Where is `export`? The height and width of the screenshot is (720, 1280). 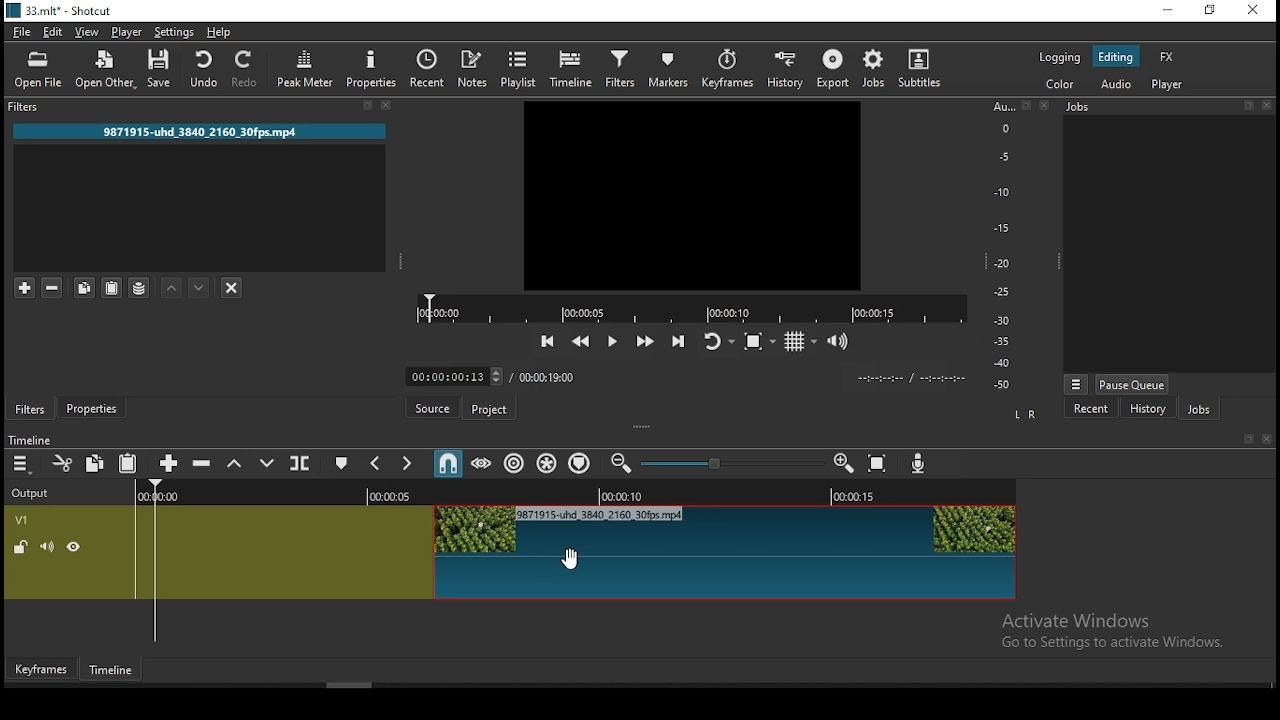
export is located at coordinates (835, 70).